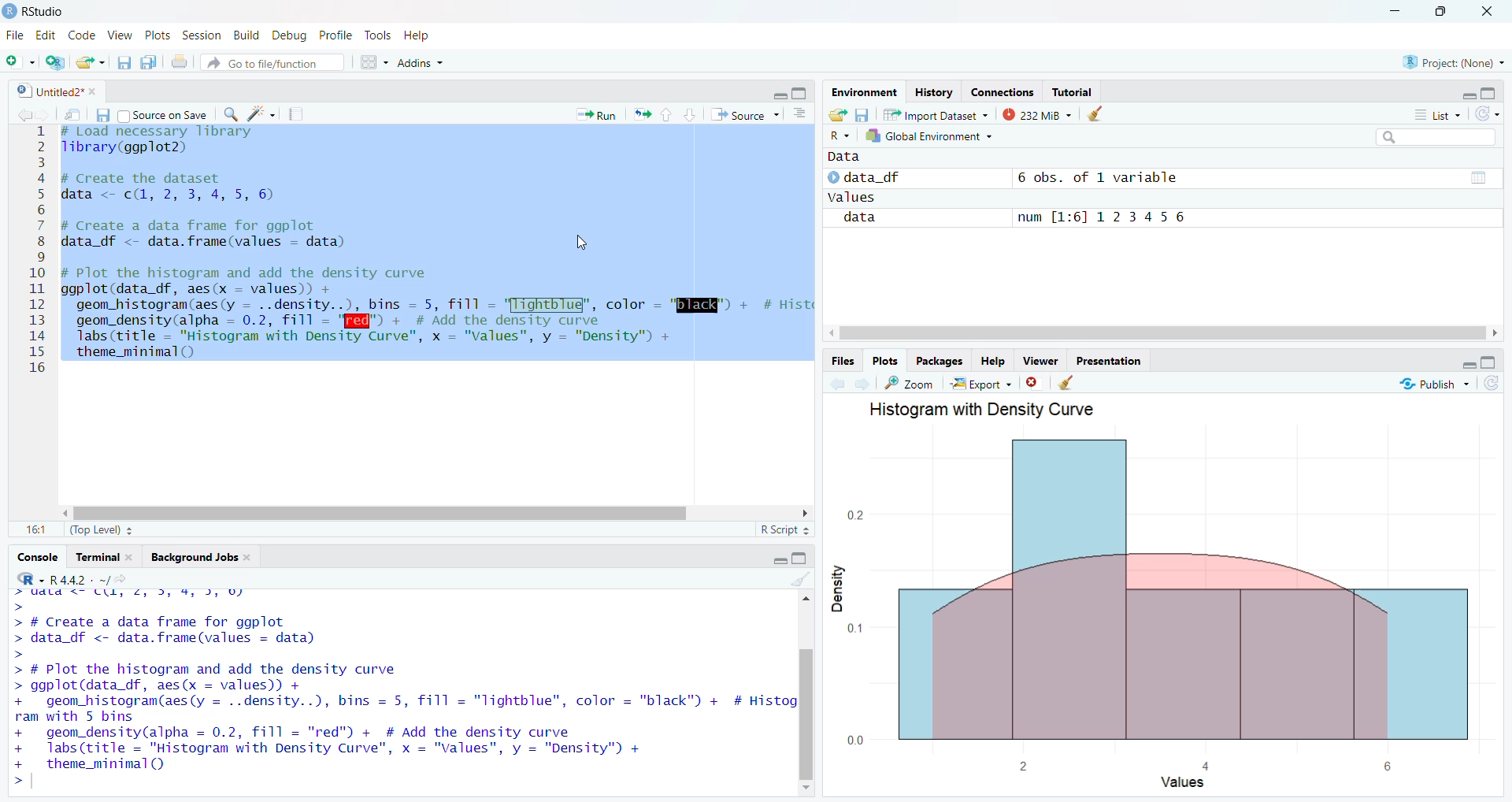 Image resolution: width=1512 pixels, height=802 pixels. Describe the element at coordinates (1438, 113) in the screenshot. I see `list` at that location.